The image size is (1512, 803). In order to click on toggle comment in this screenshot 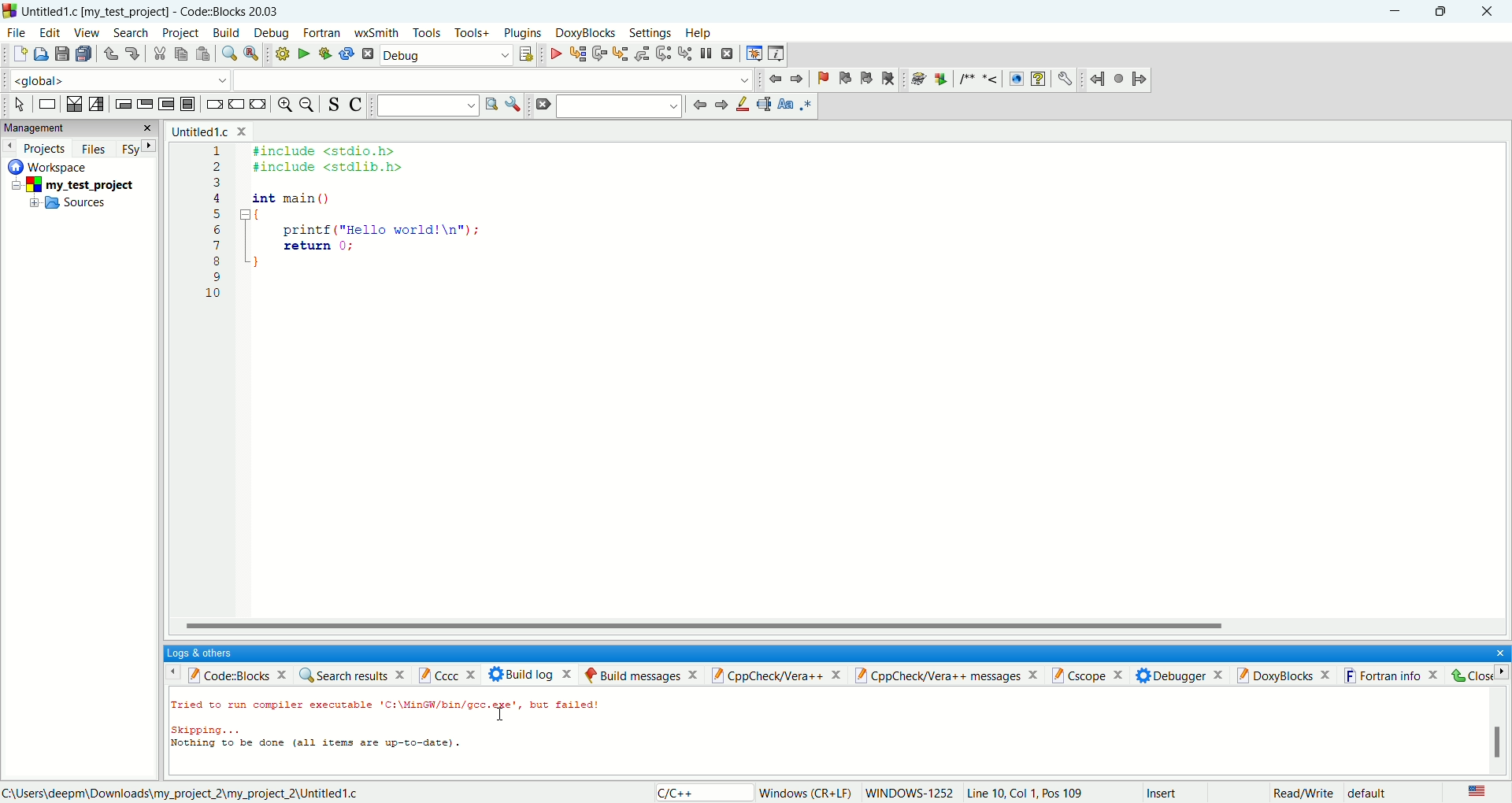, I will do `click(354, 105)`.